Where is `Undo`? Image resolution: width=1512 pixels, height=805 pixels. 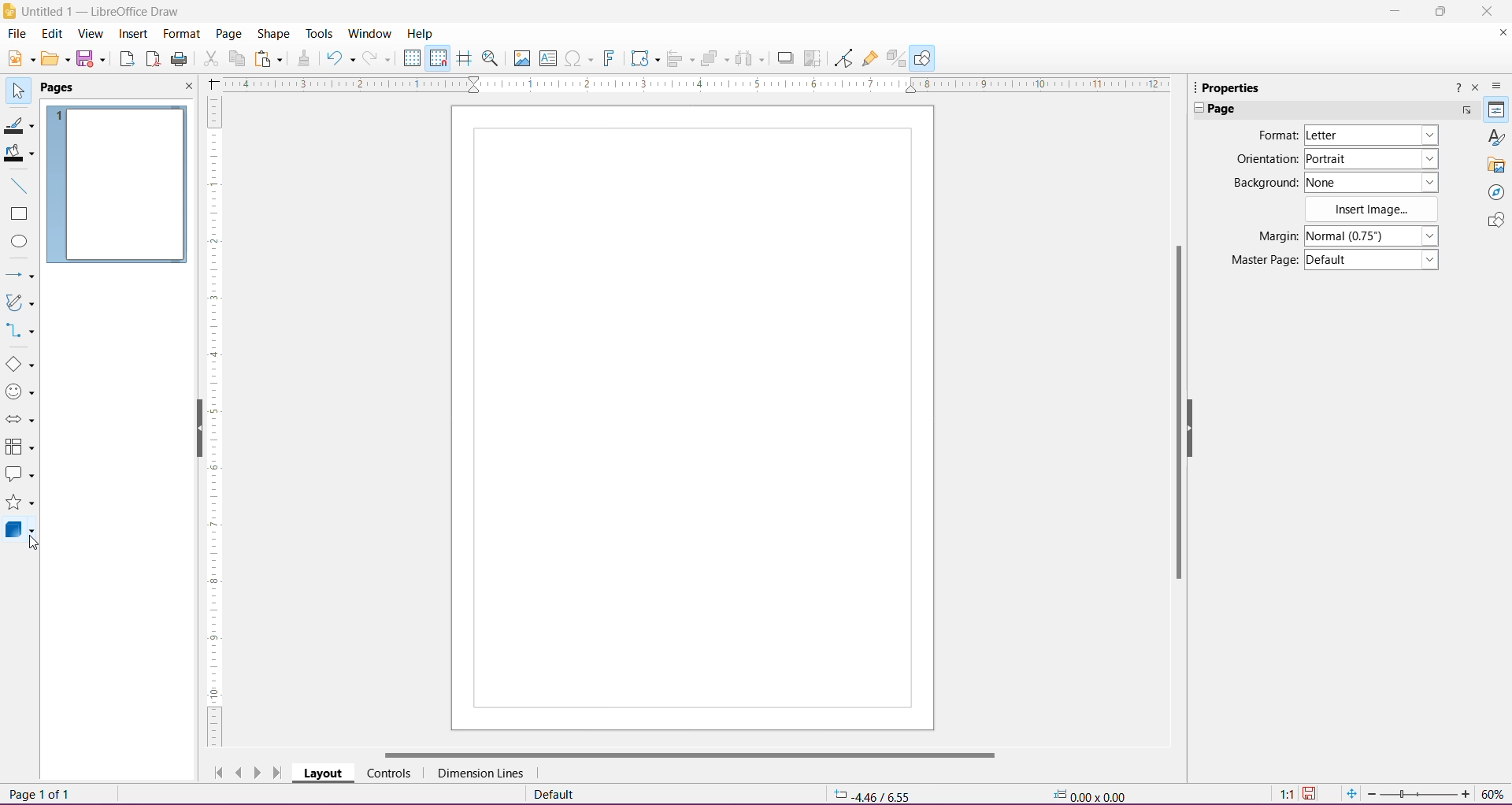
Undo is located at coordinates (340, 60).